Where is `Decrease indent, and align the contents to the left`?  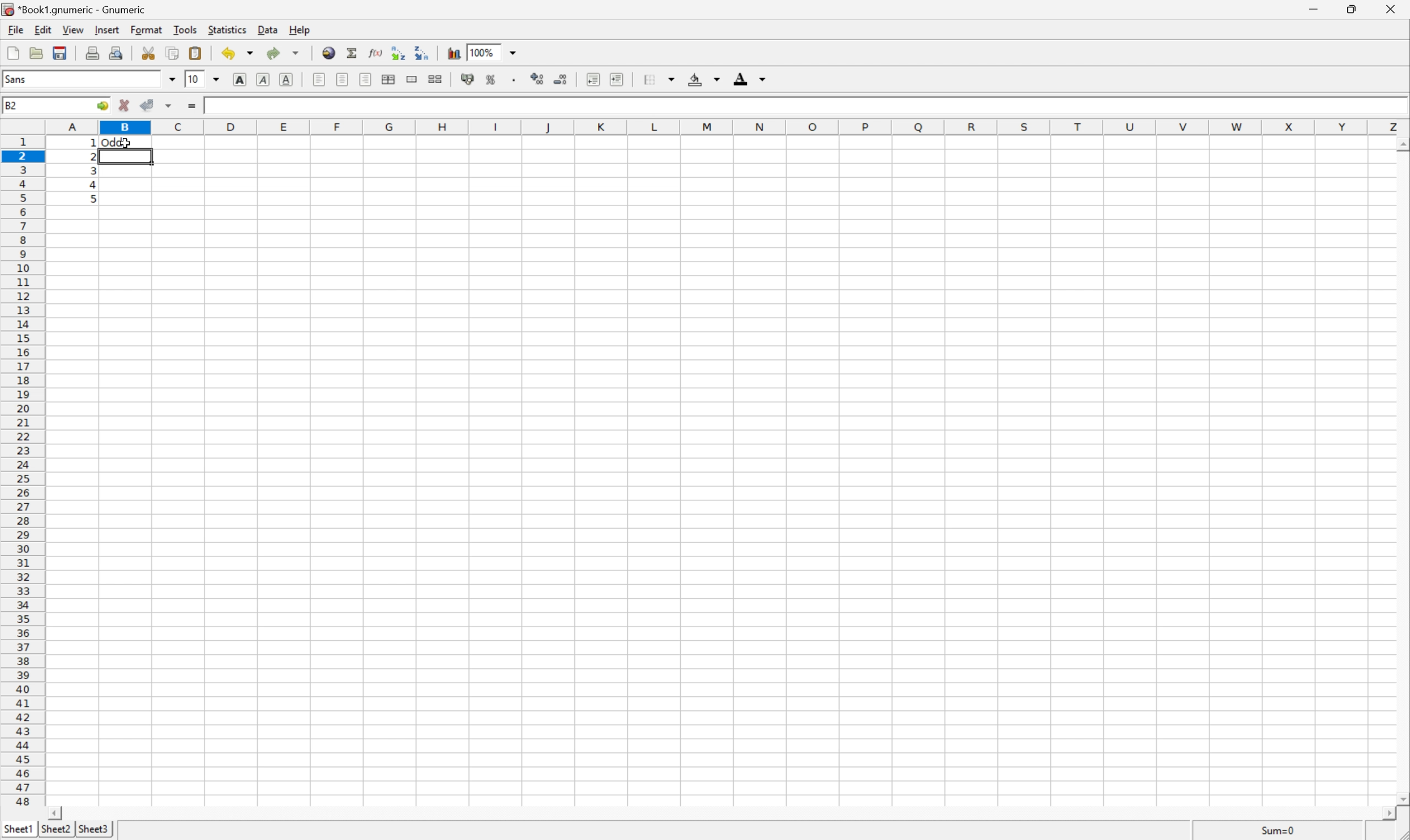
Decrease indent, and align the contents to the left is located at coordinates (593, 77).